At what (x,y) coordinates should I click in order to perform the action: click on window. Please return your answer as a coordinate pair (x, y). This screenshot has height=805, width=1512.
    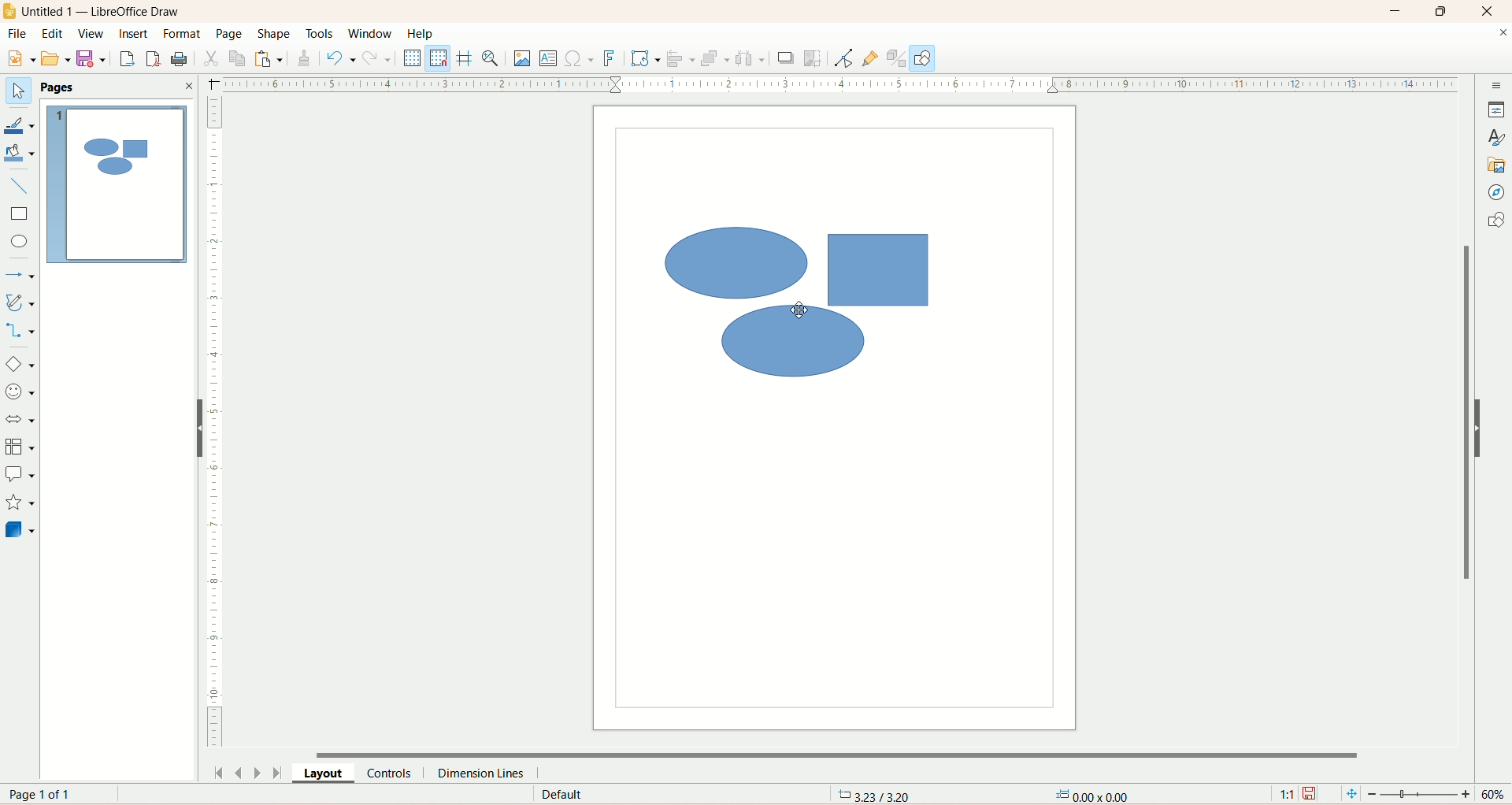
    Looking at the image, I should click on (370, 35).